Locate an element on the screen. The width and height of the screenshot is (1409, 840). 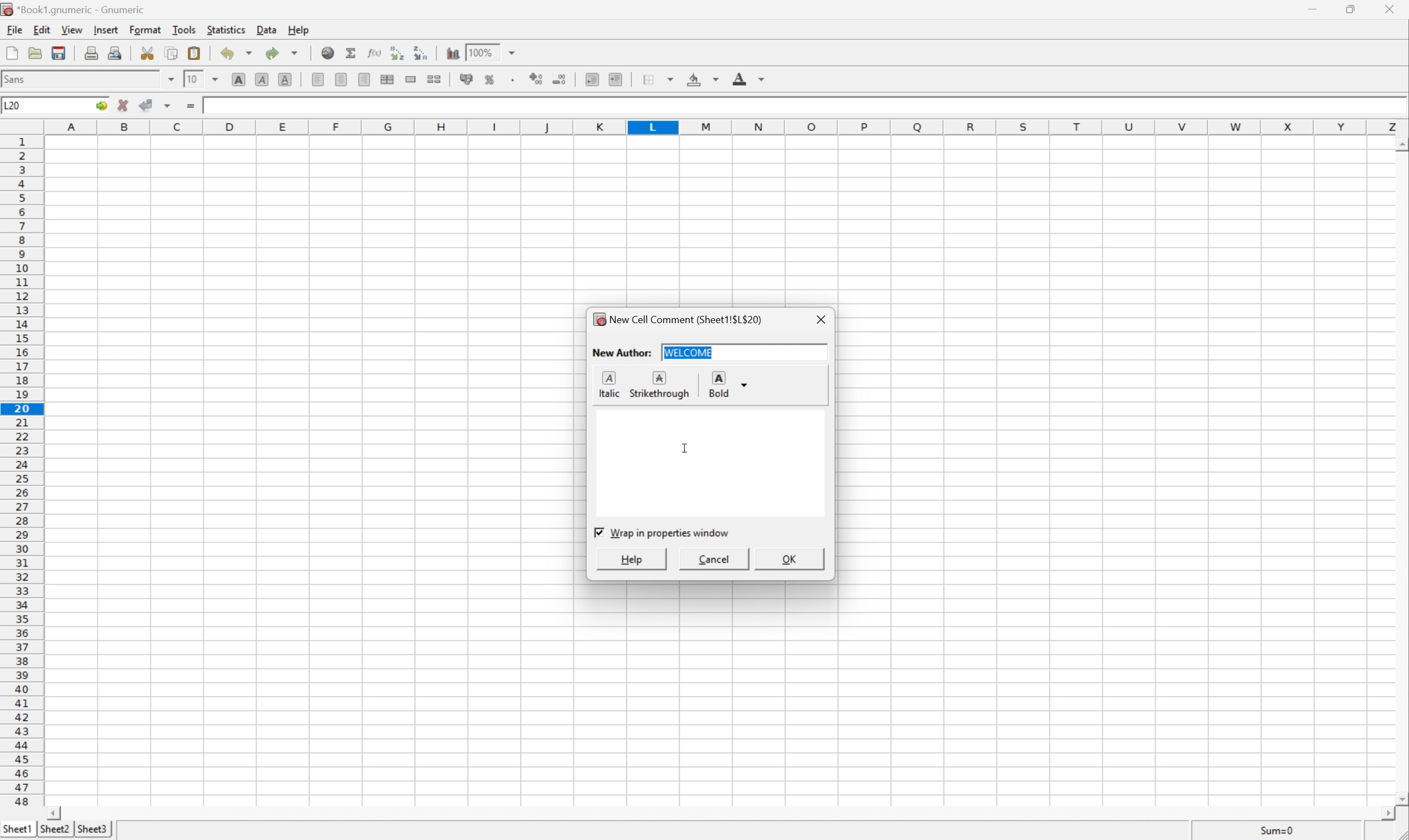
Sum in current cell is located at coordinates (352, 52).